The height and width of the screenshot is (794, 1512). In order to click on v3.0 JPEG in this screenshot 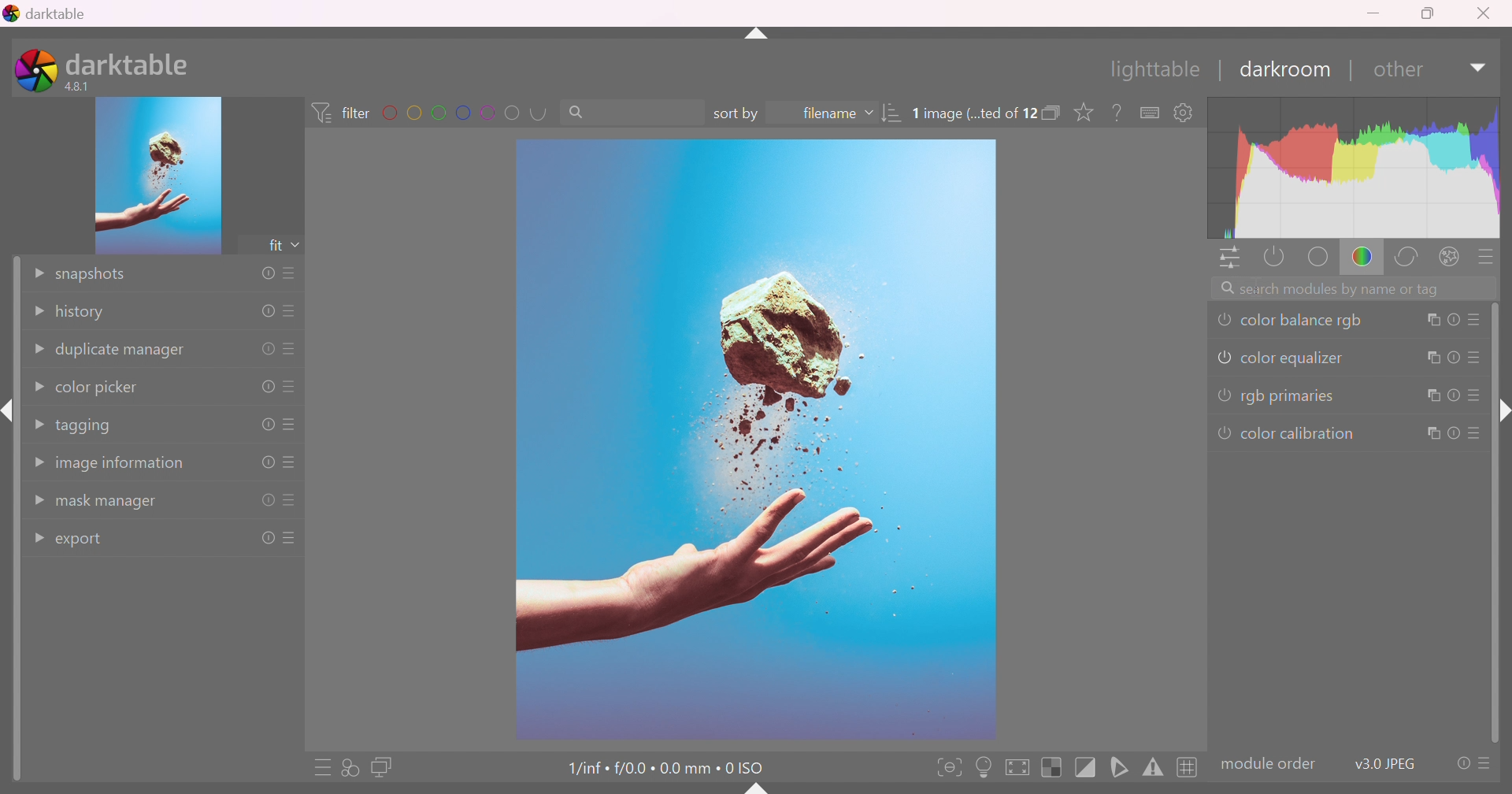, I will do `click(1386, 762)`.